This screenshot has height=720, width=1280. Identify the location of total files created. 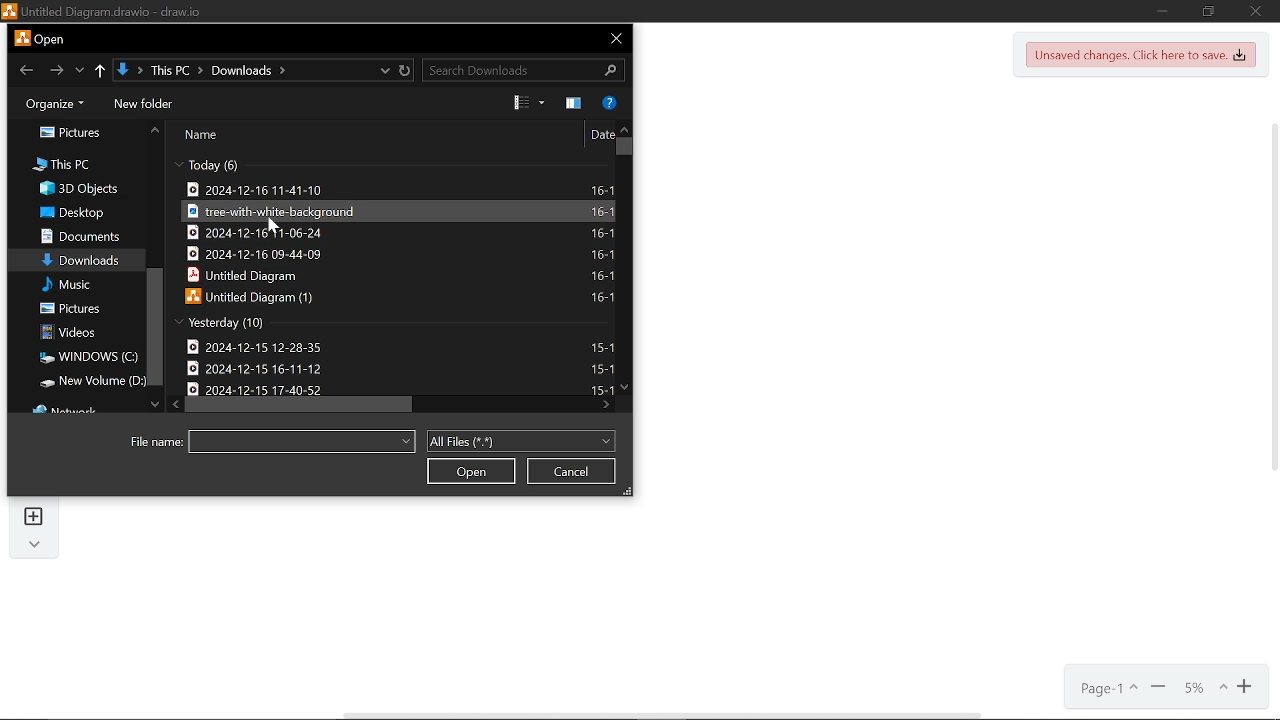
(175, 321).